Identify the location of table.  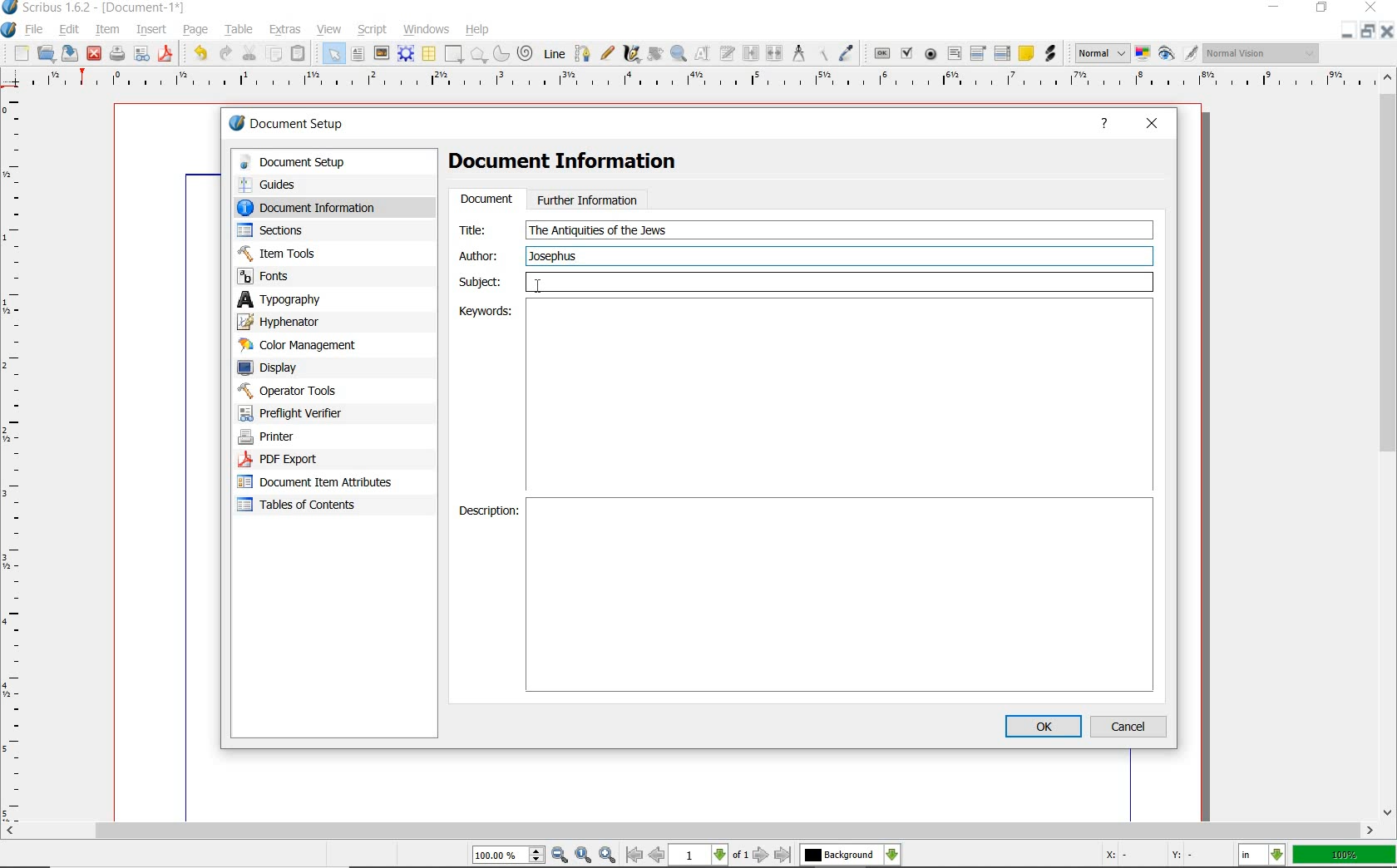
(428, 53).